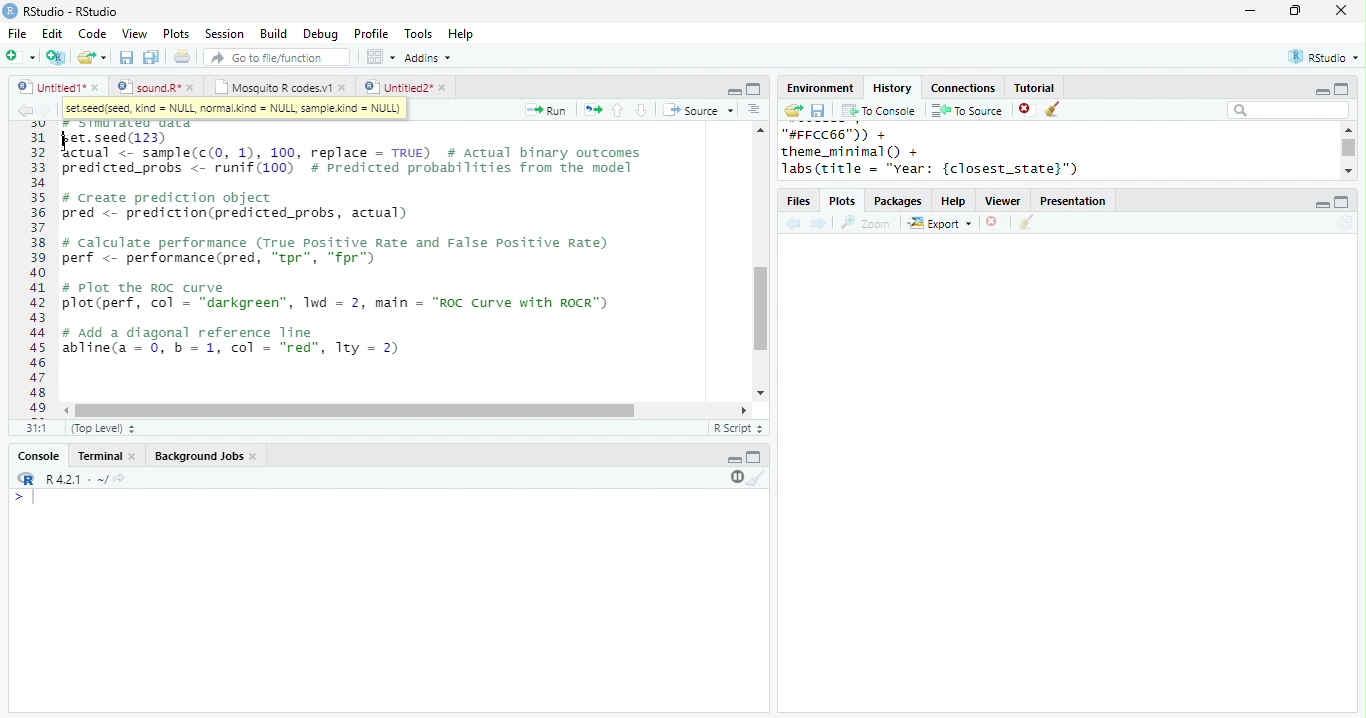 This screenshot has height=718, width=1366. I want to click on Debug, so click(323, 35).